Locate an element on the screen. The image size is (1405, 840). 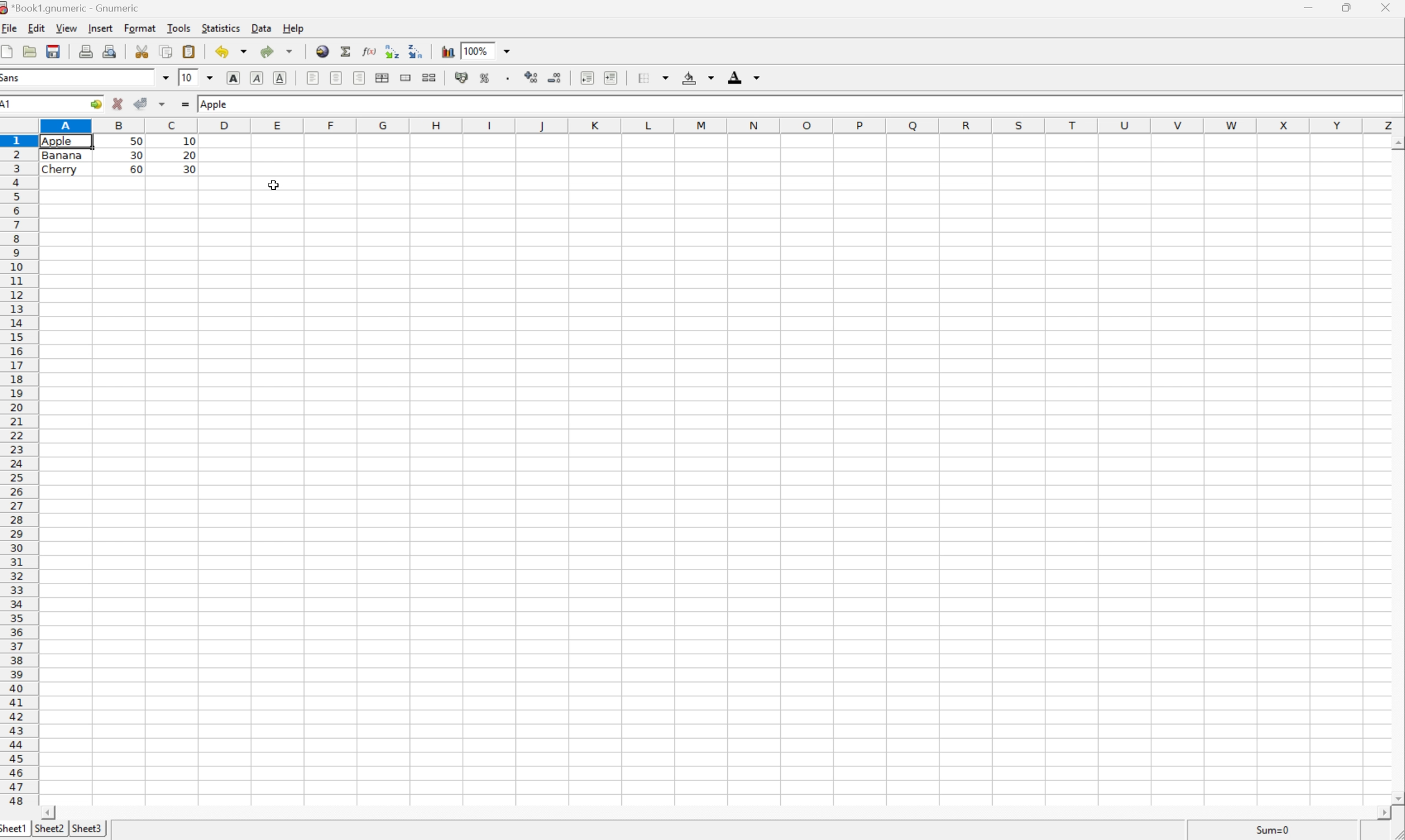
apple is located at coordinates (218, 104).